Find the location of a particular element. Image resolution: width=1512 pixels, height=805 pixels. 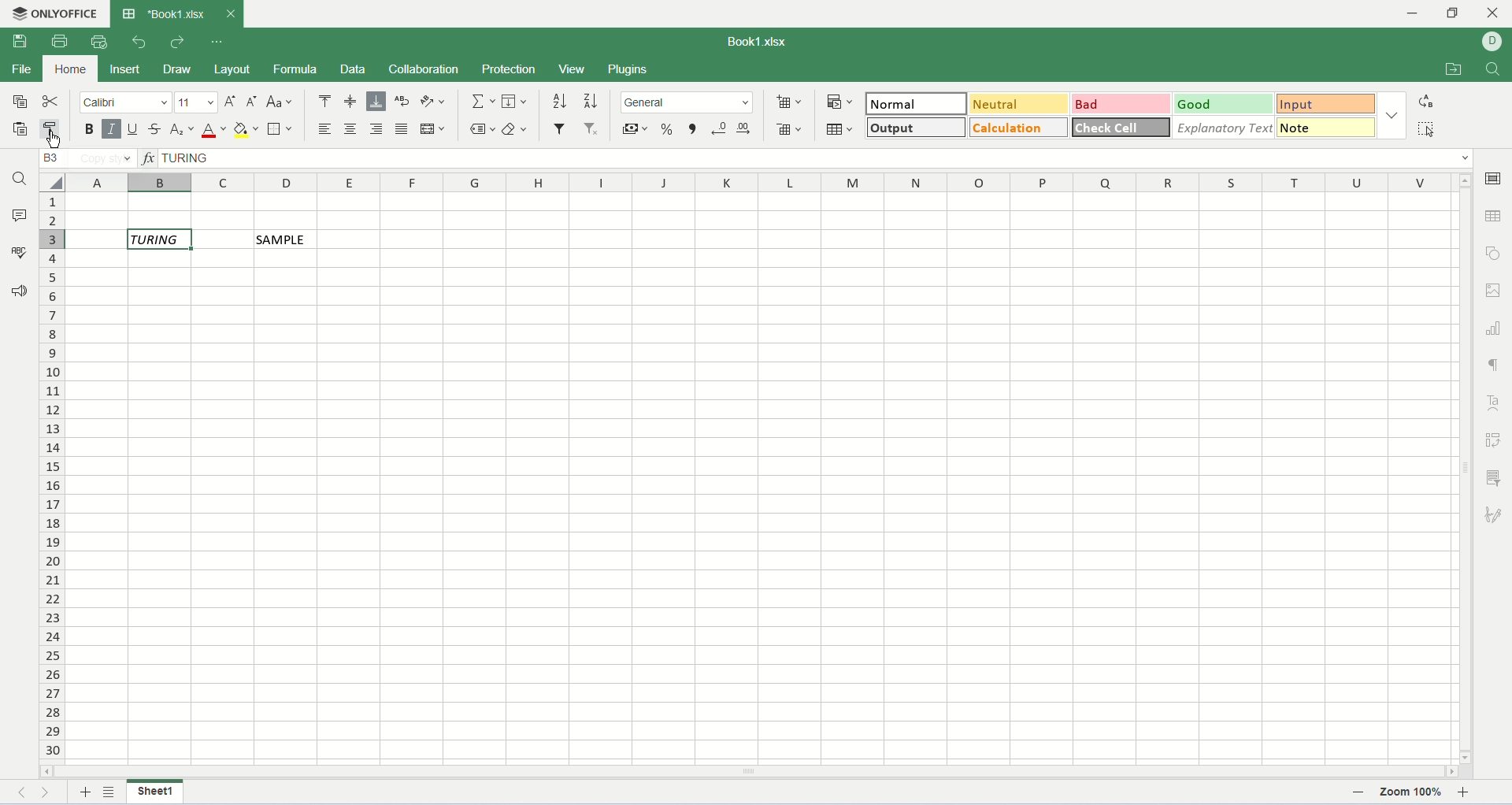

previous is located at coordinates (28, 795).